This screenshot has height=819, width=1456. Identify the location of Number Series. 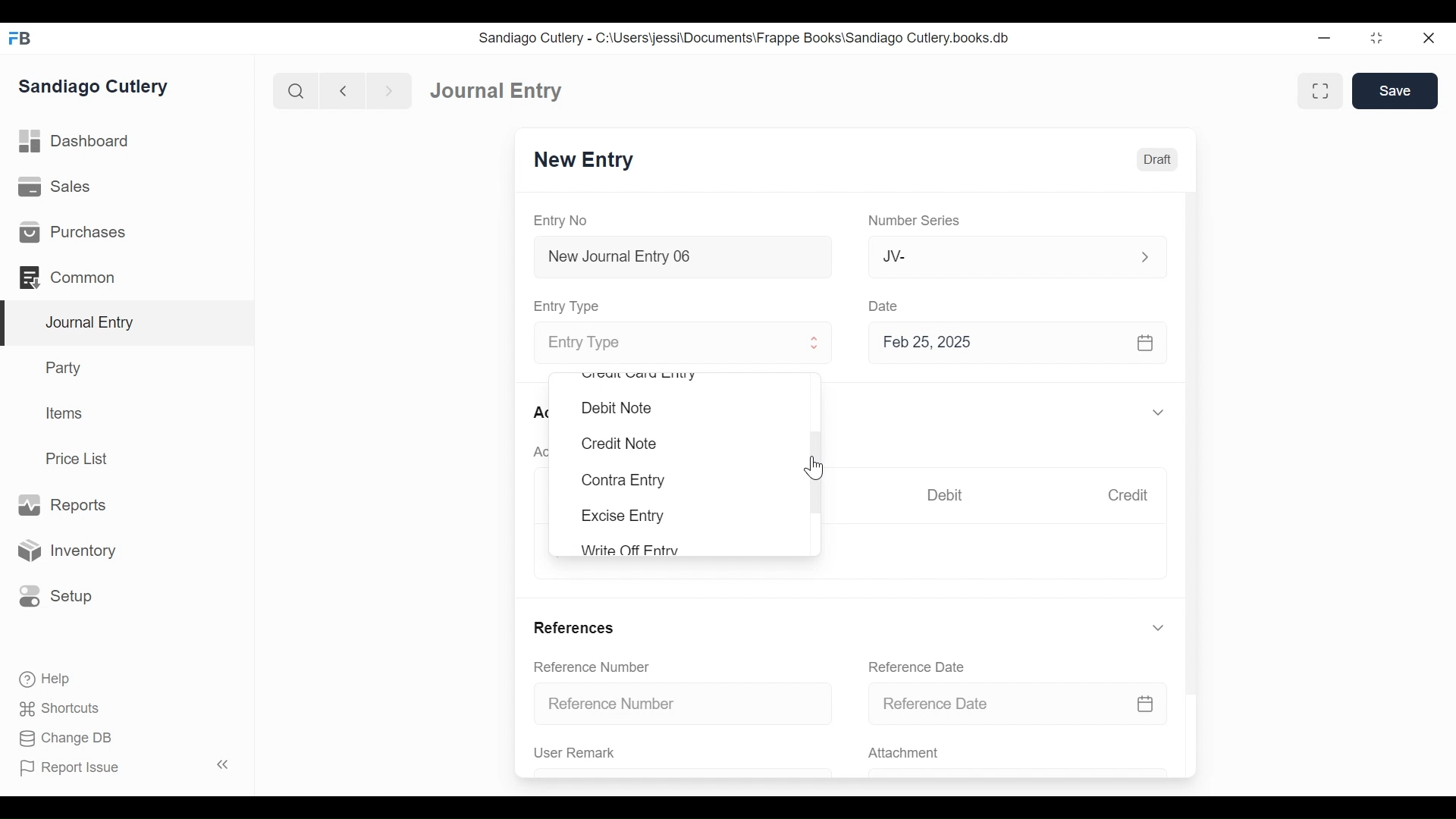
(917, 221).